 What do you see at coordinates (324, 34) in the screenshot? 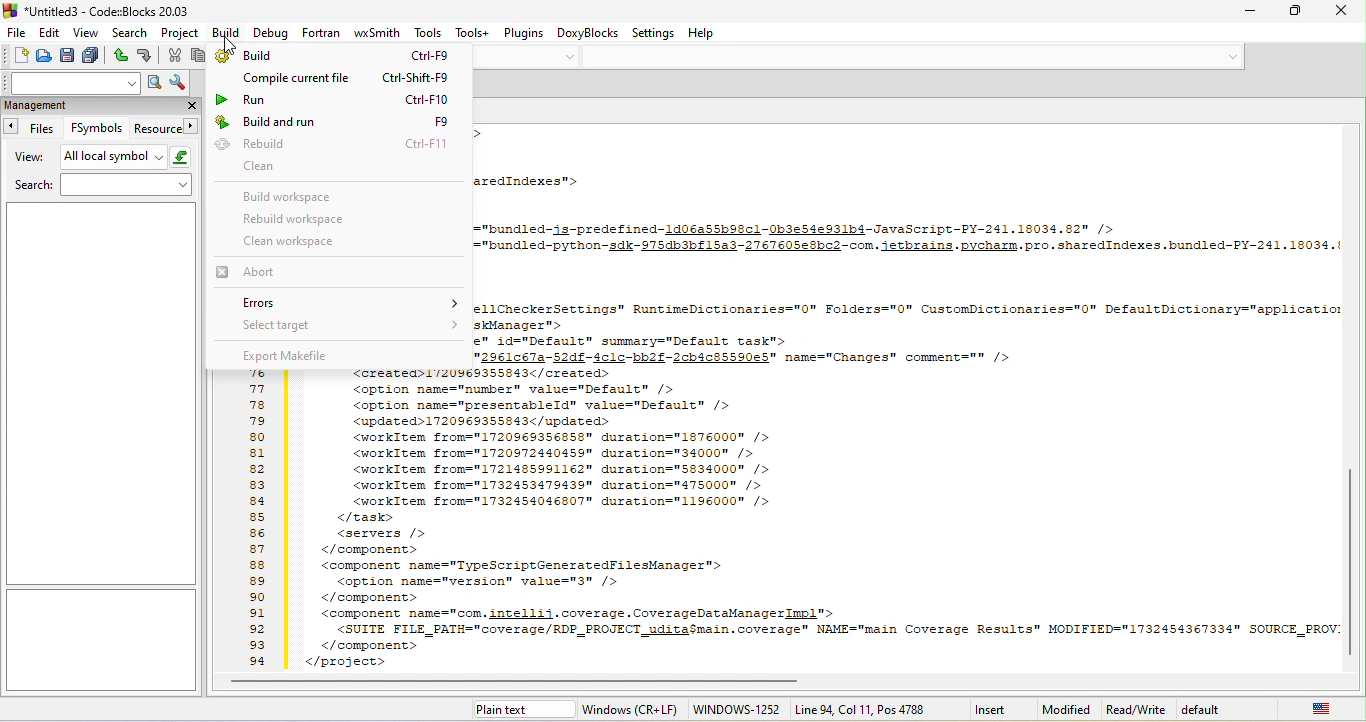
I see `fortran` at bounding box center [324, 34].